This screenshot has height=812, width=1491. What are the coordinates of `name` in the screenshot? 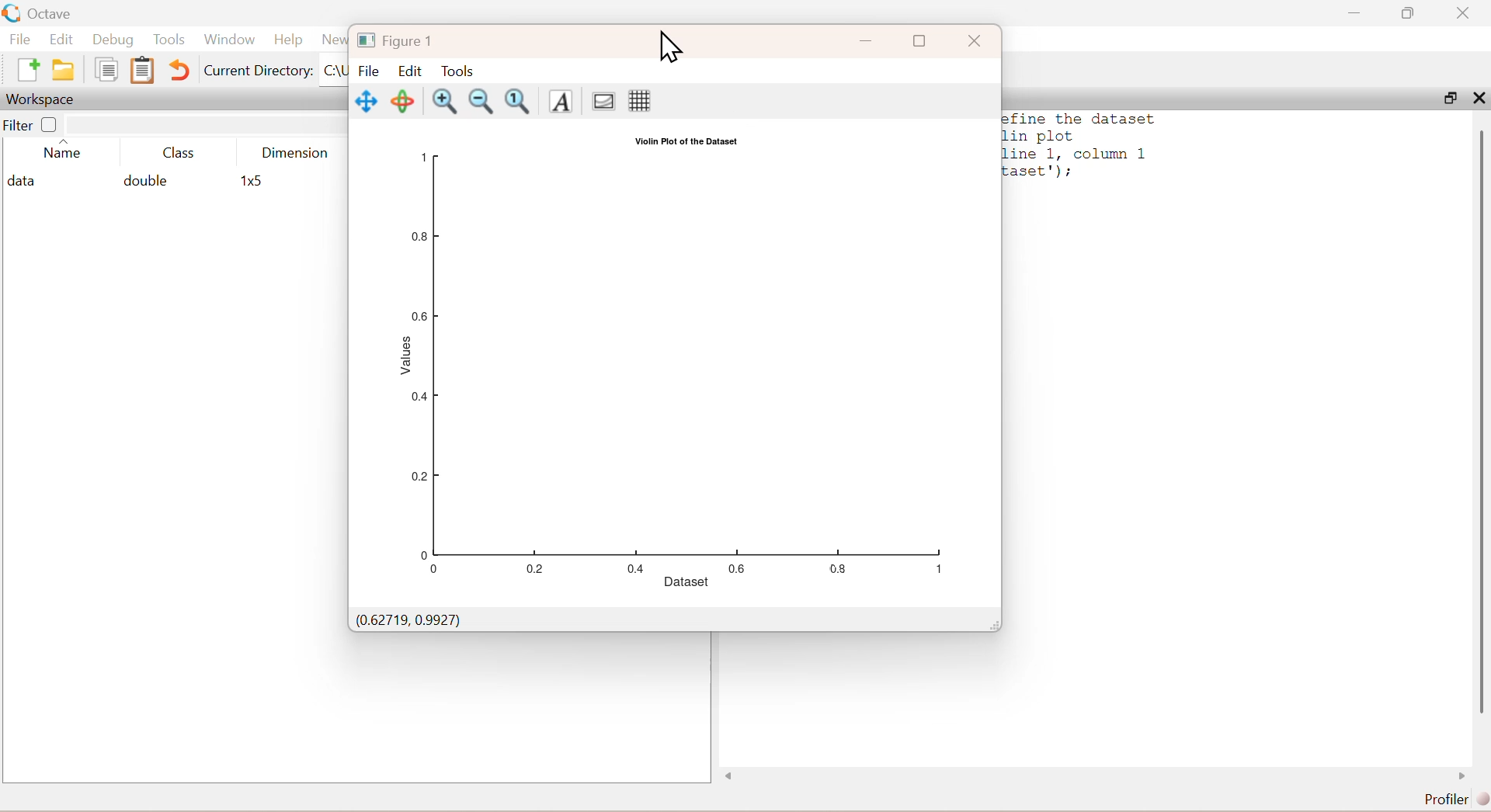 It's located at (63, 152).